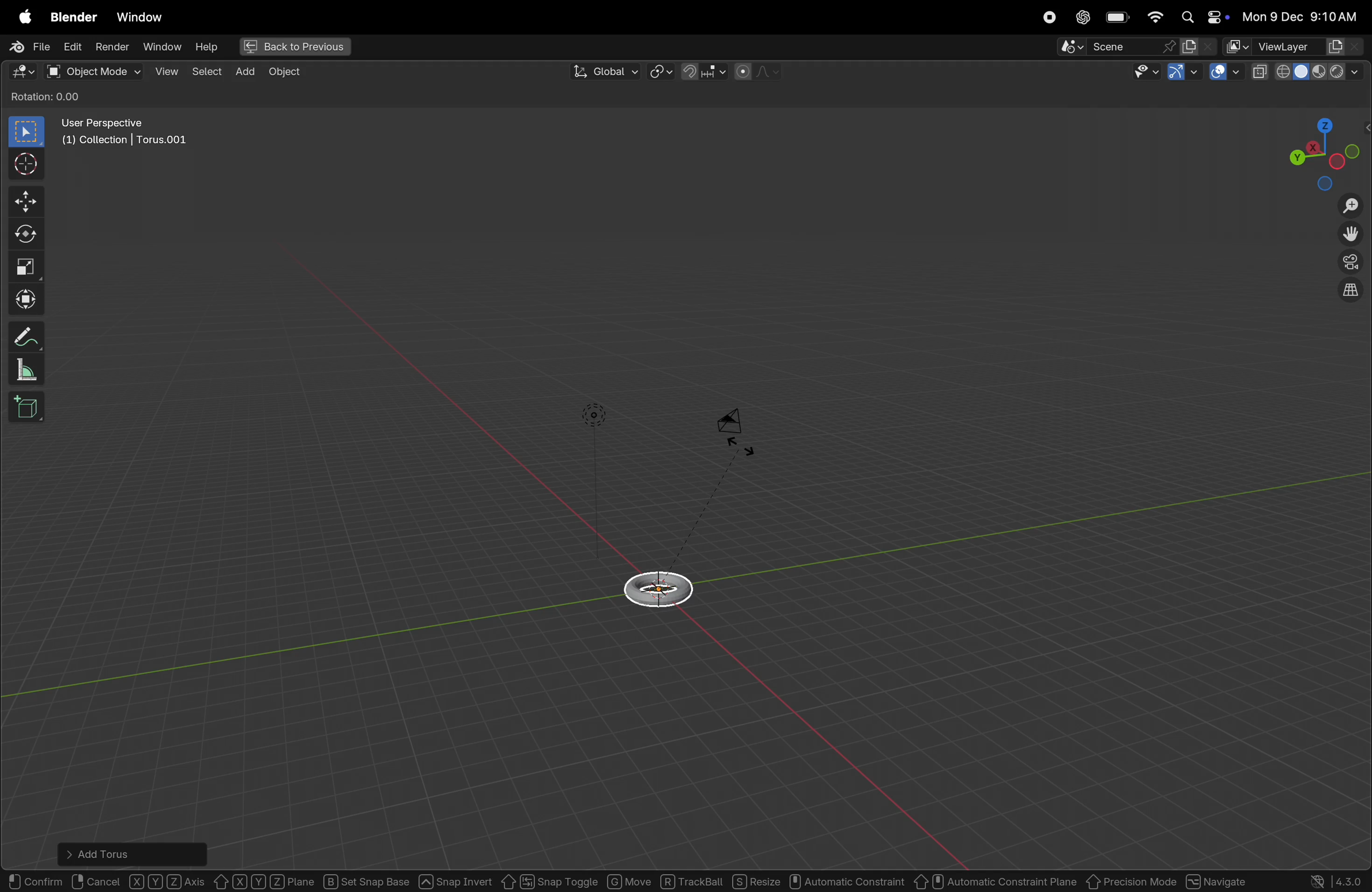 The width and height of the screenshot is (1372, 892). What do you see at coordinates (1143, 73) in the screenshot?
I see `visibility` at bounding box center [1143, 73].